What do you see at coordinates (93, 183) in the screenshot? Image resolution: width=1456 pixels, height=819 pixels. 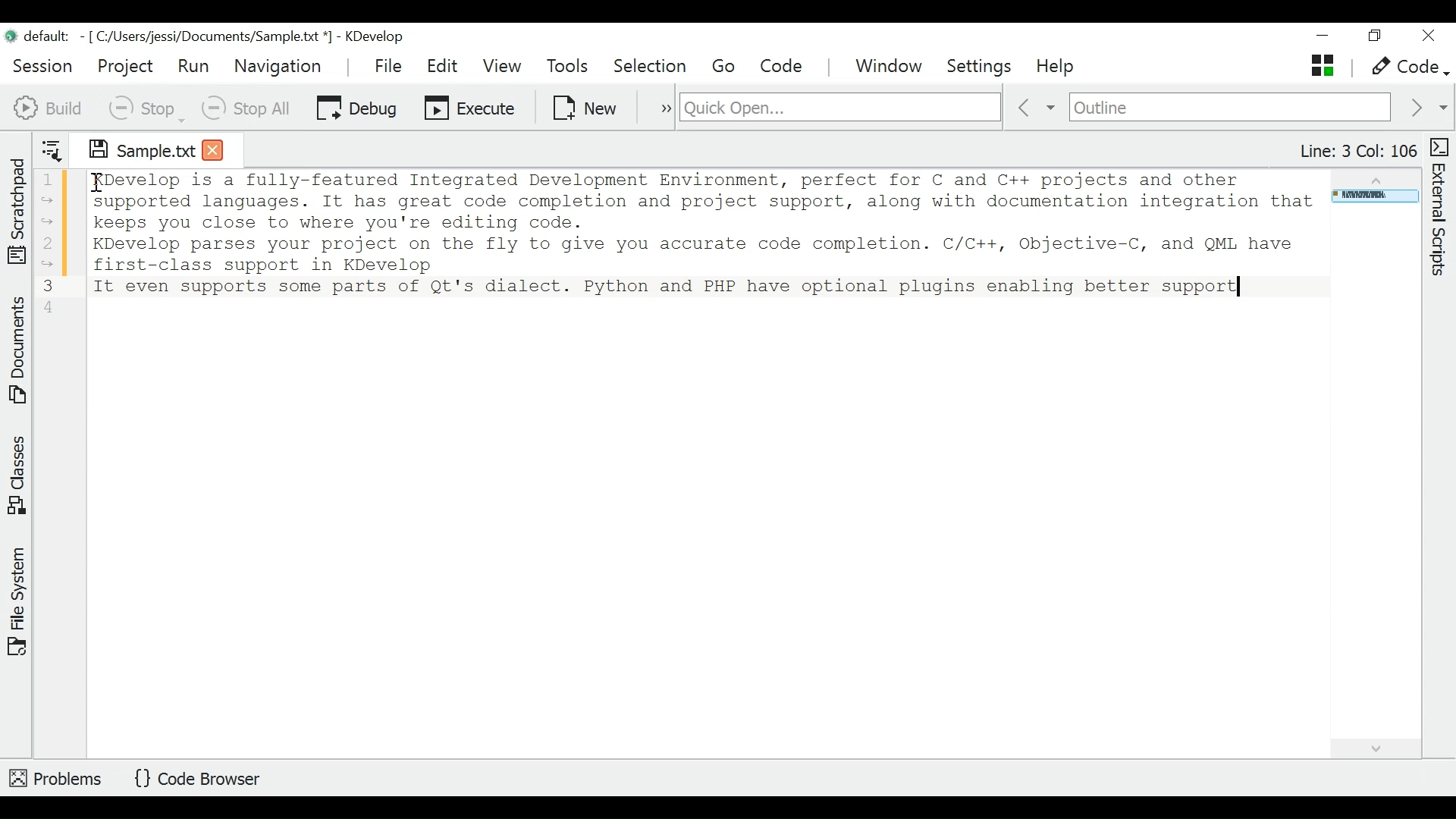 I see `I-beam cursor` at bounding box center [93, 183].